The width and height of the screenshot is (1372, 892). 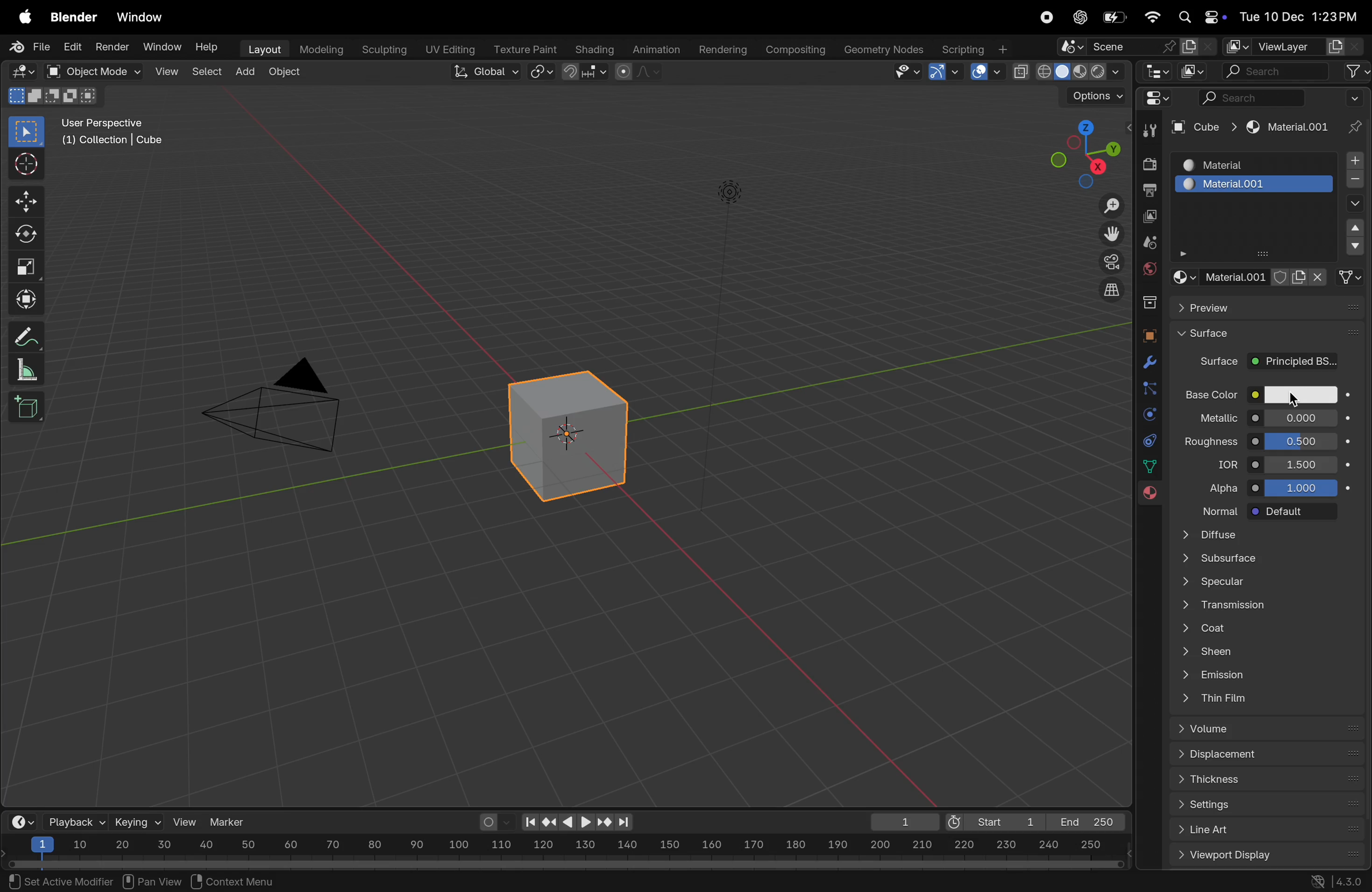 I want to click on scene, so click(x=1149, y=243).